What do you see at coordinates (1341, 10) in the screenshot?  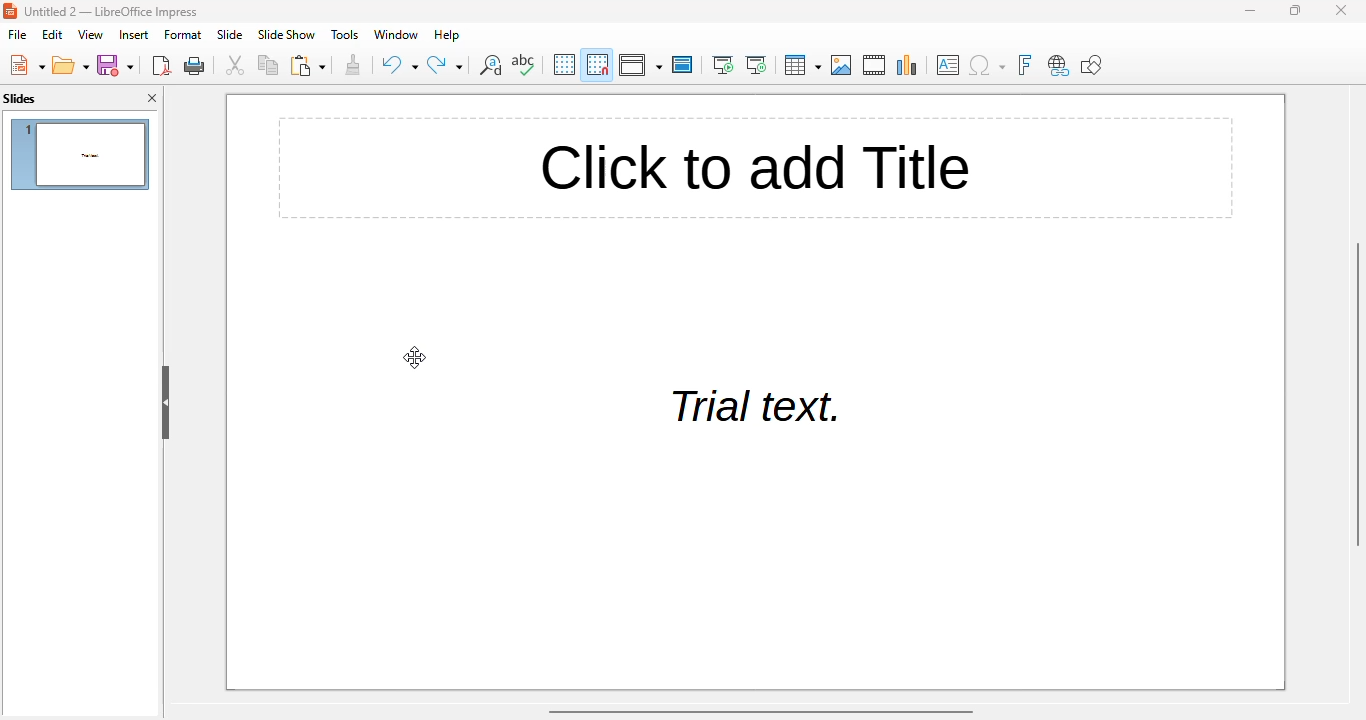 I see `close` at bounding box center [1341, 10].